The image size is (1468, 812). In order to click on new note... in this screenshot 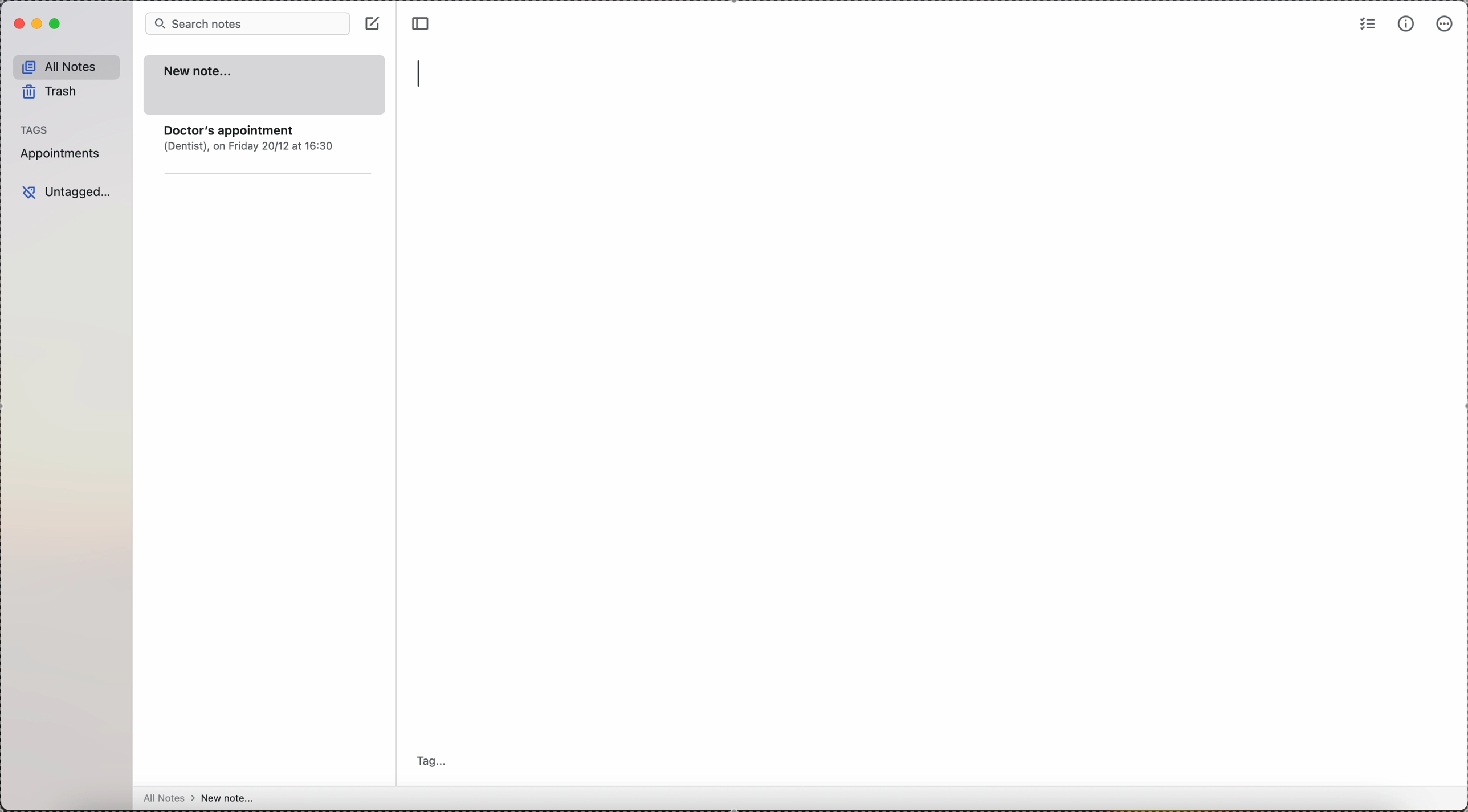, I will do `click(266, 87)`.